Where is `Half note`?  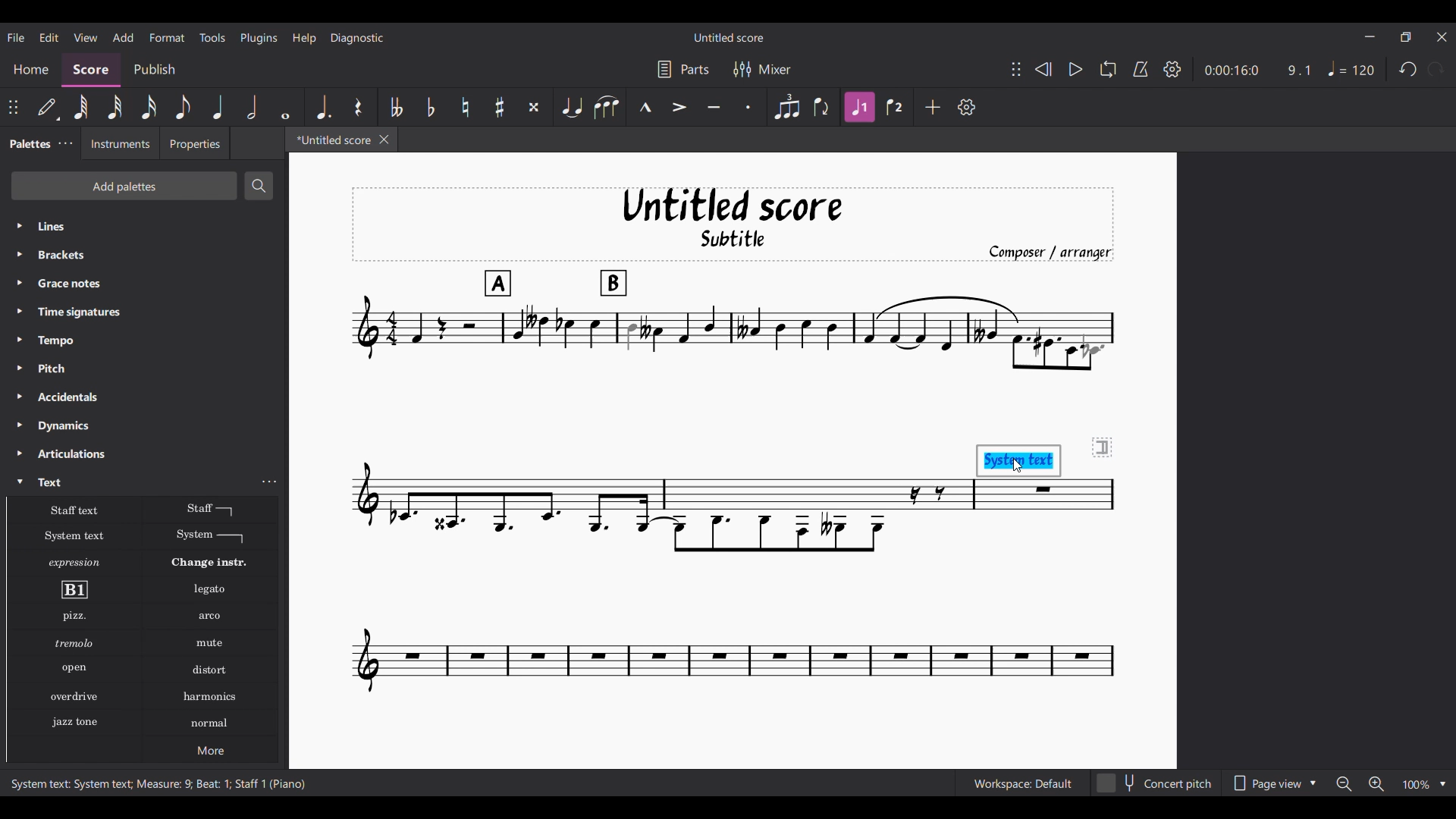 Half note is located at coordinates (252, 106).